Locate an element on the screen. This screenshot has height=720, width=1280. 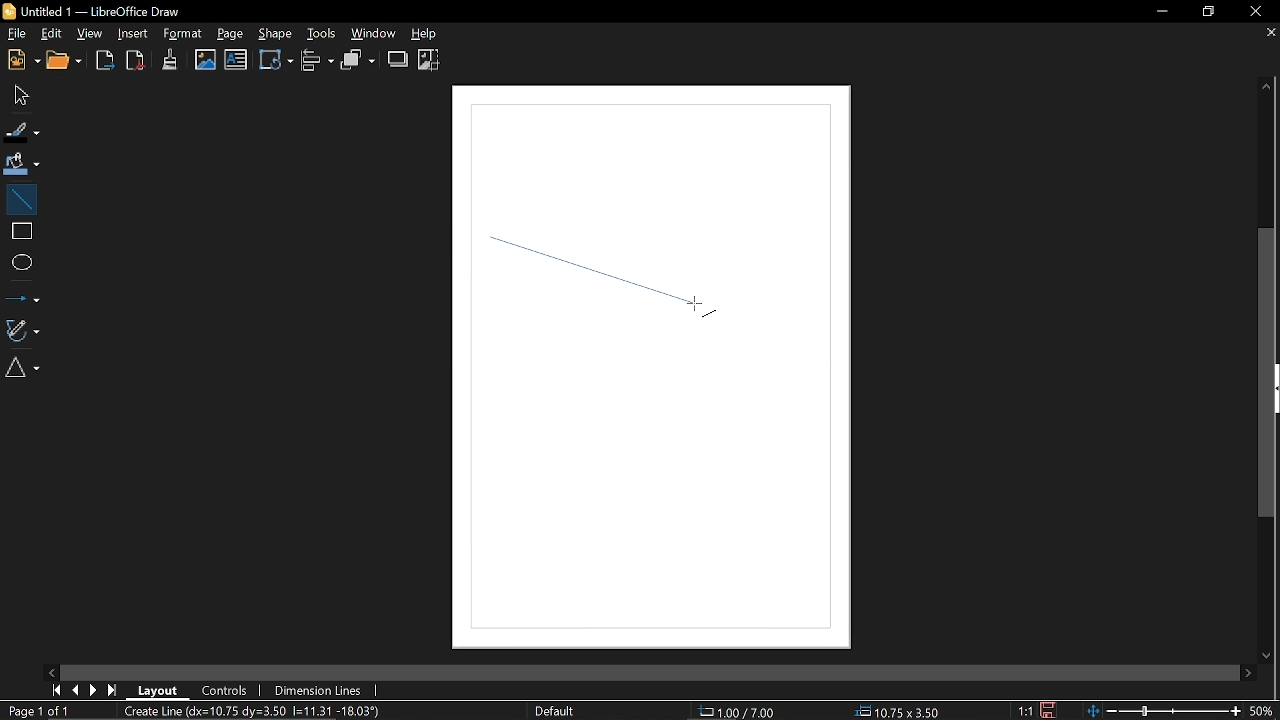
Scaling factor is located at coordinates (1024, 711).